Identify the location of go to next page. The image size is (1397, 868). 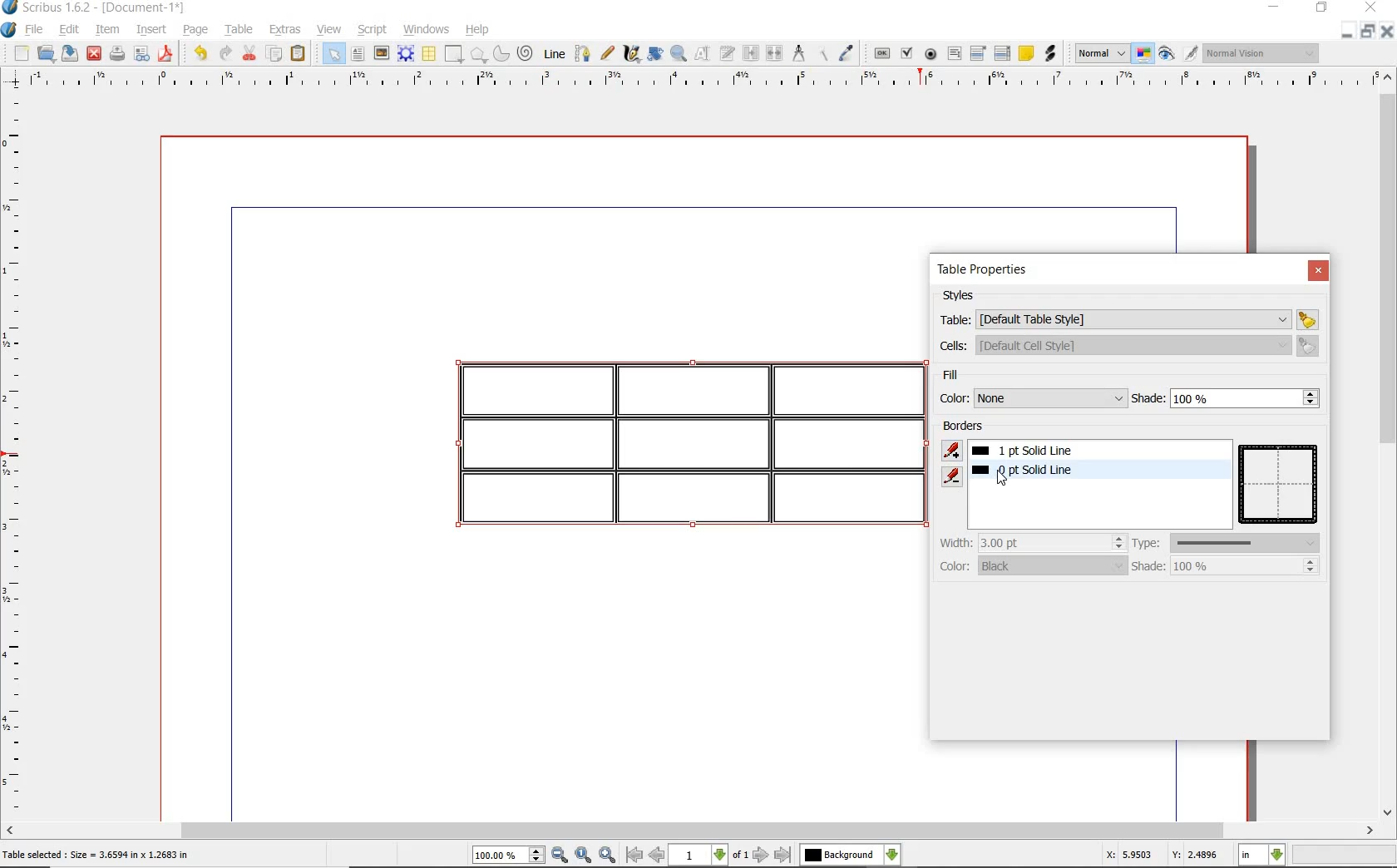
(762, 854).